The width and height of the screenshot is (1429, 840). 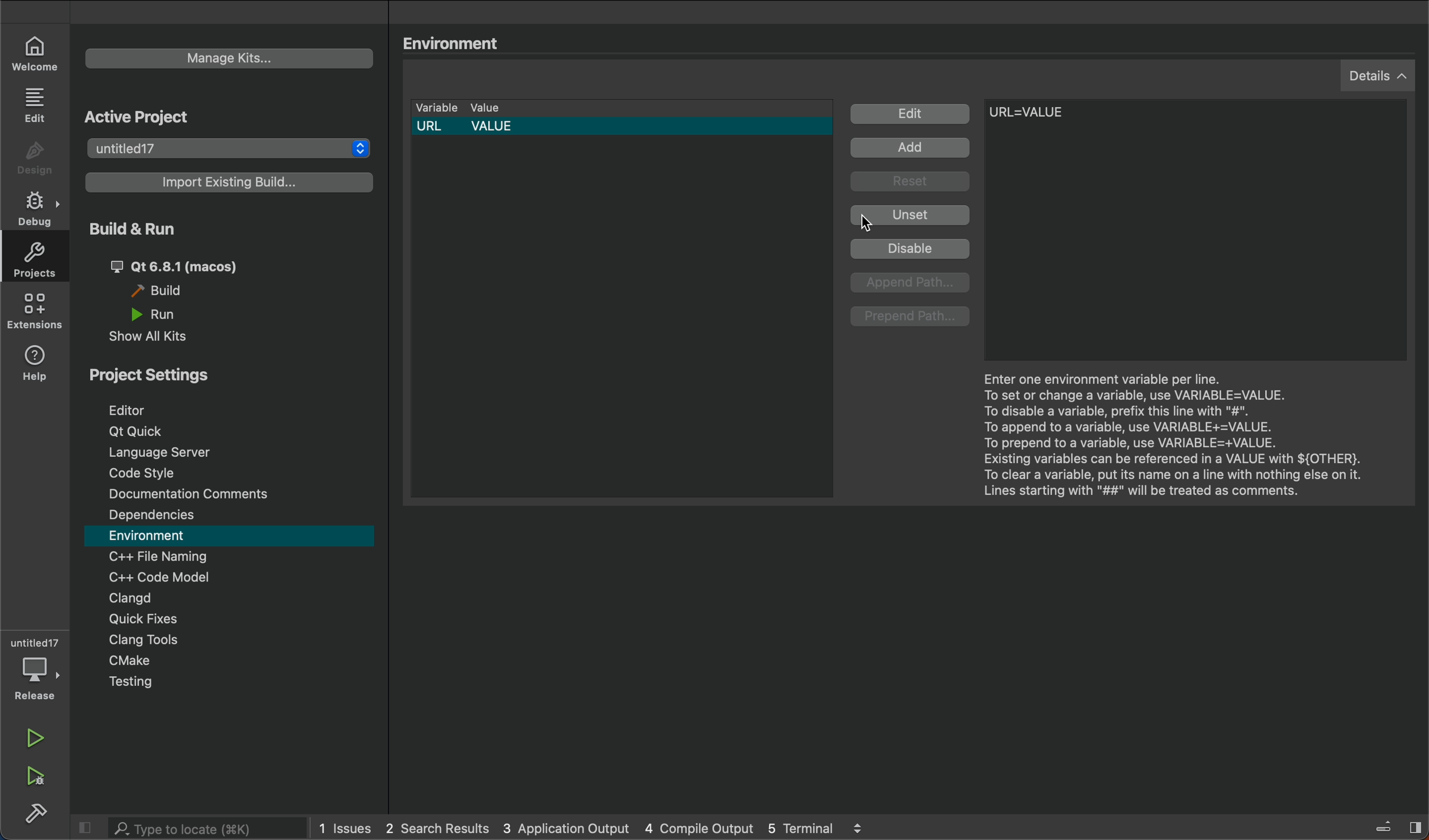 What do you see at coordinates (1170, 437) in the screenshot?
I see `Instructions ` at bounding box center [1170, 437].